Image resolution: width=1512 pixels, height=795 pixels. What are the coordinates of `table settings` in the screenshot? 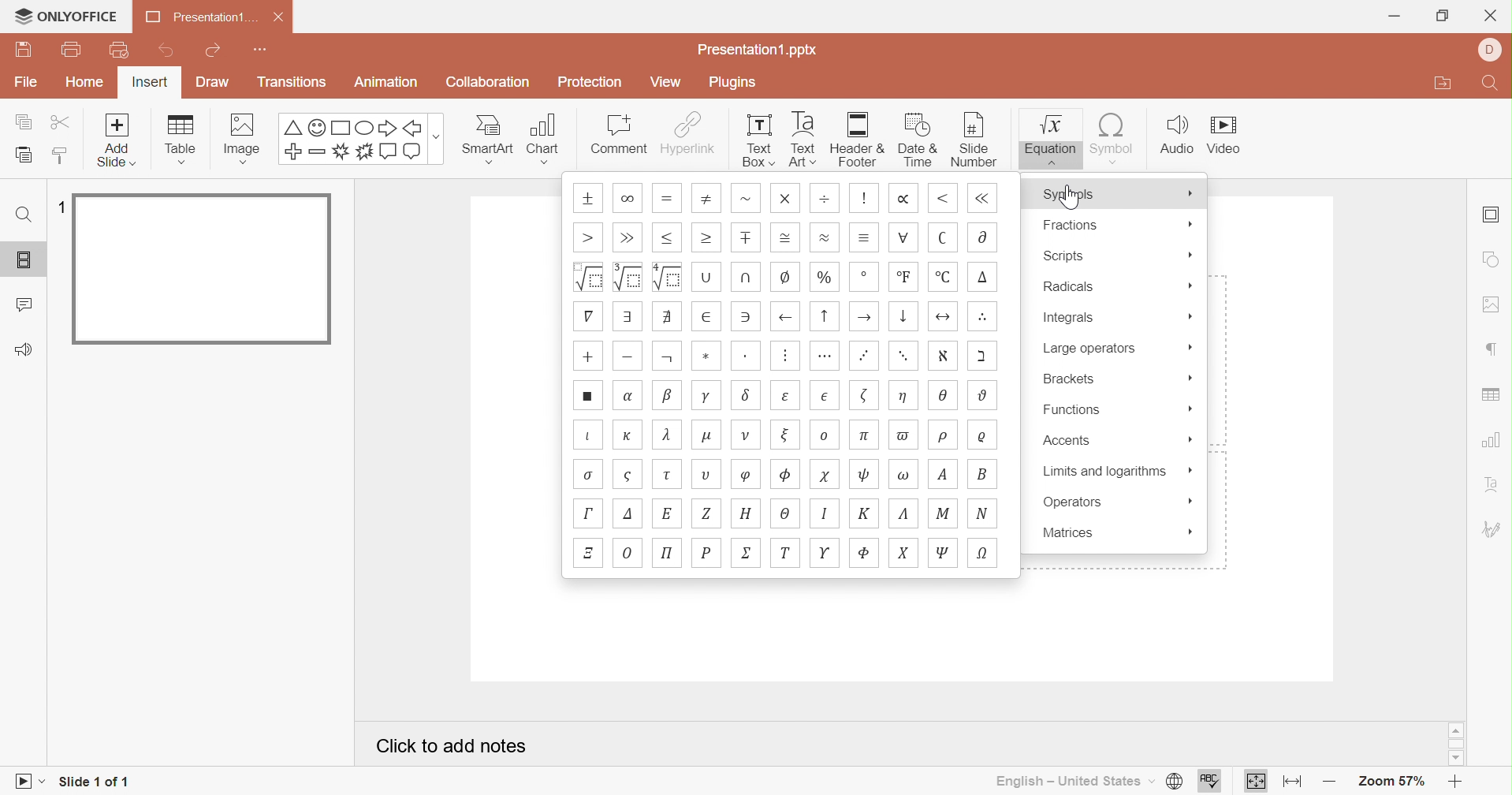 It's located at (1493, 396).